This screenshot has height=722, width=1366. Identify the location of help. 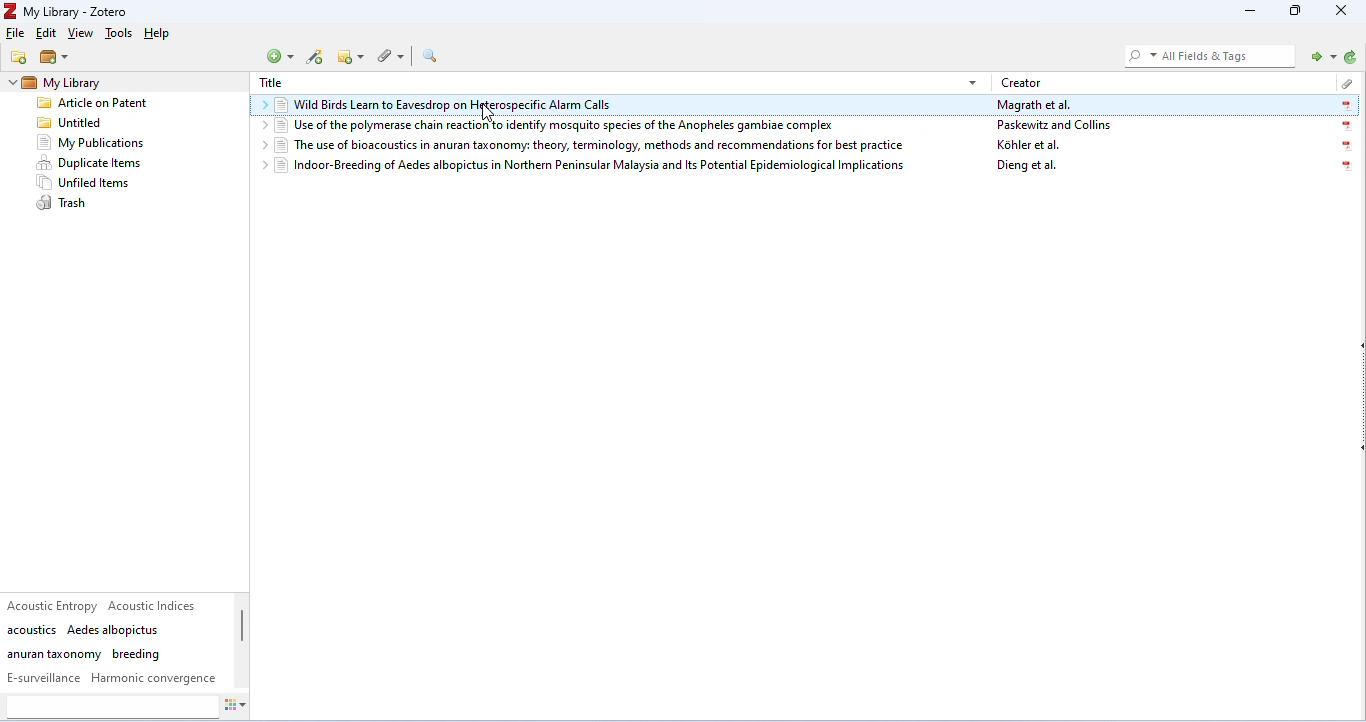
(160, 34).